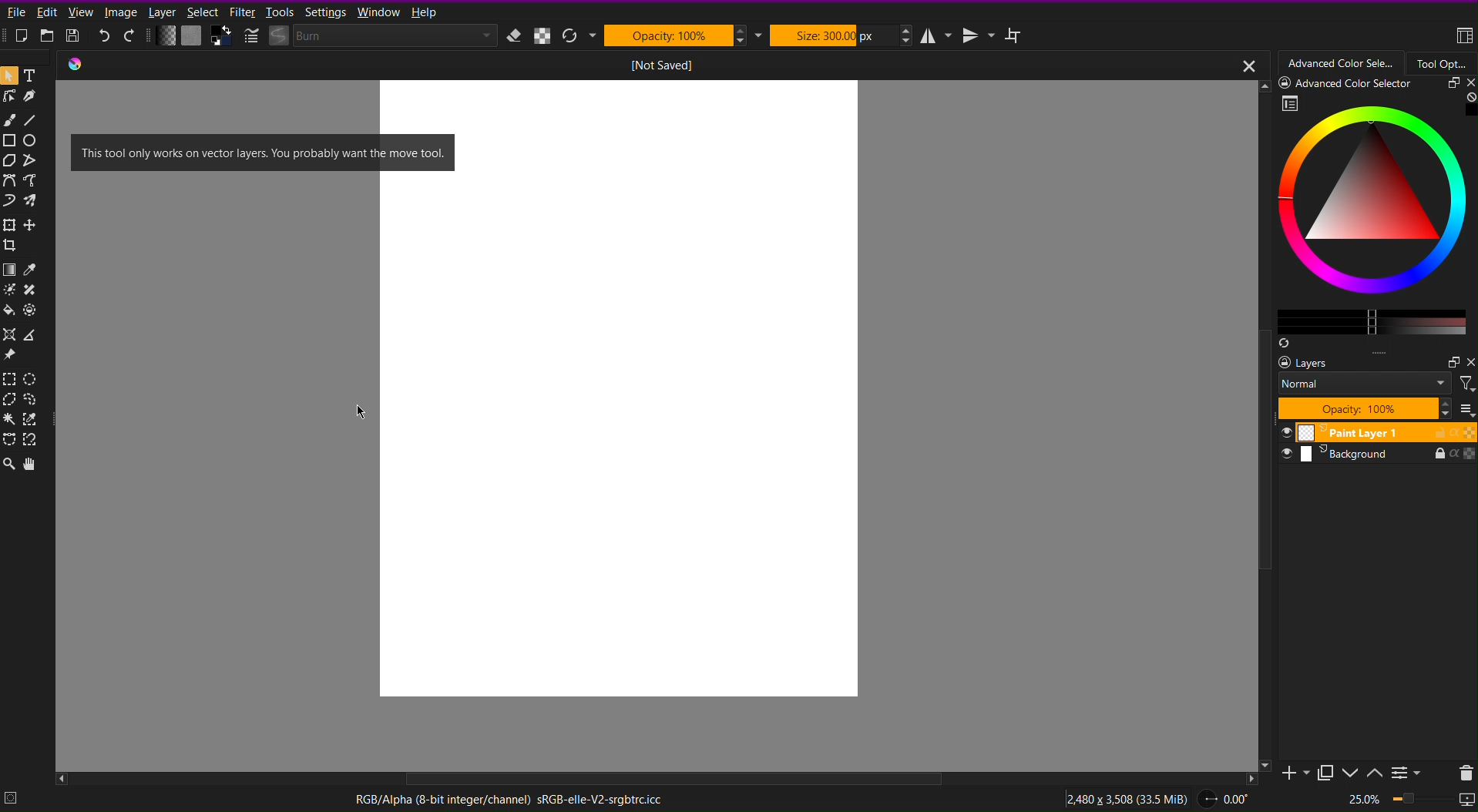 The height and width of the screenshot is (812, 1478). I want to click on Selection Tools, so click(22, 409).